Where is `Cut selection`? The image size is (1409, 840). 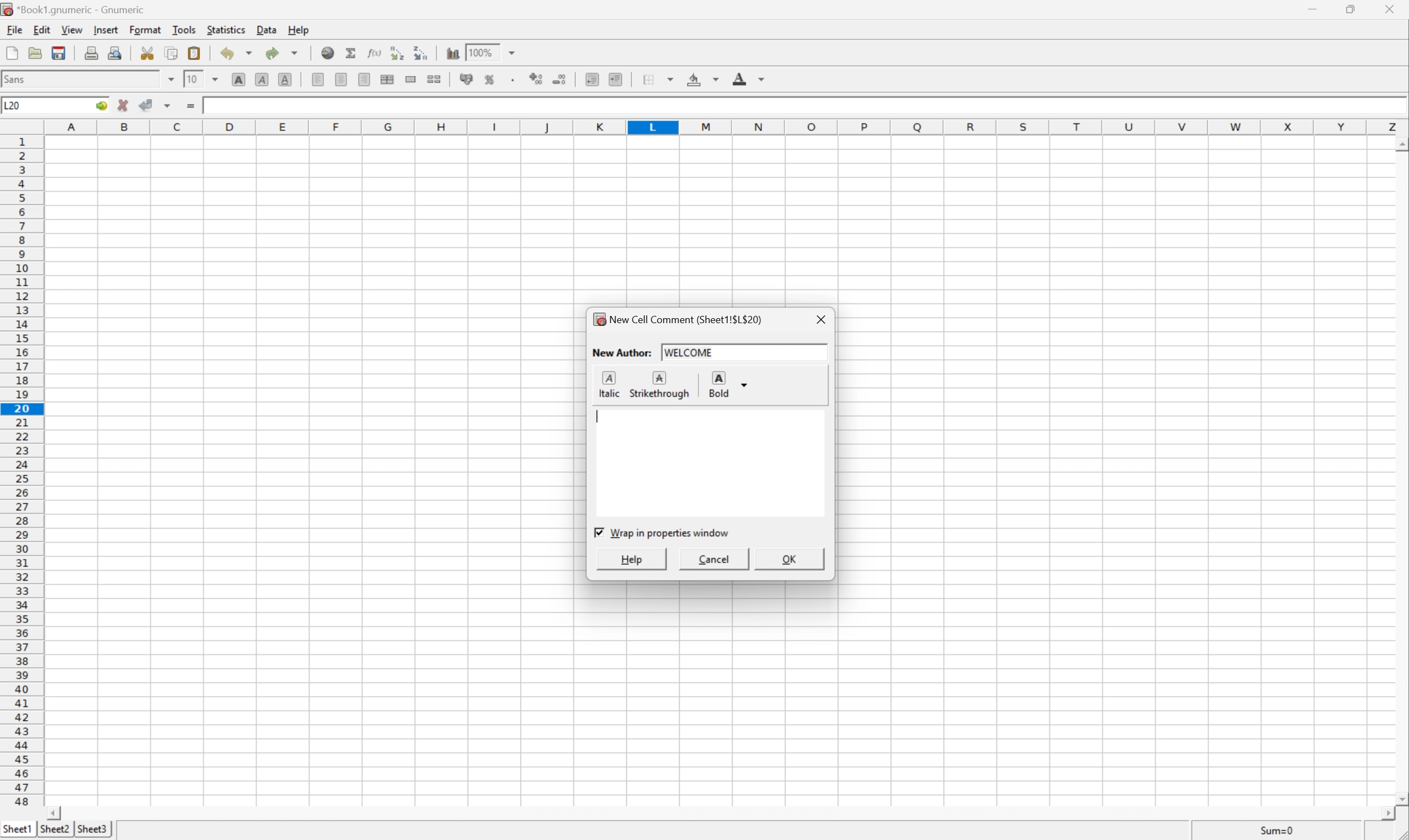
Cut selection is located at coordinates (150, 52).